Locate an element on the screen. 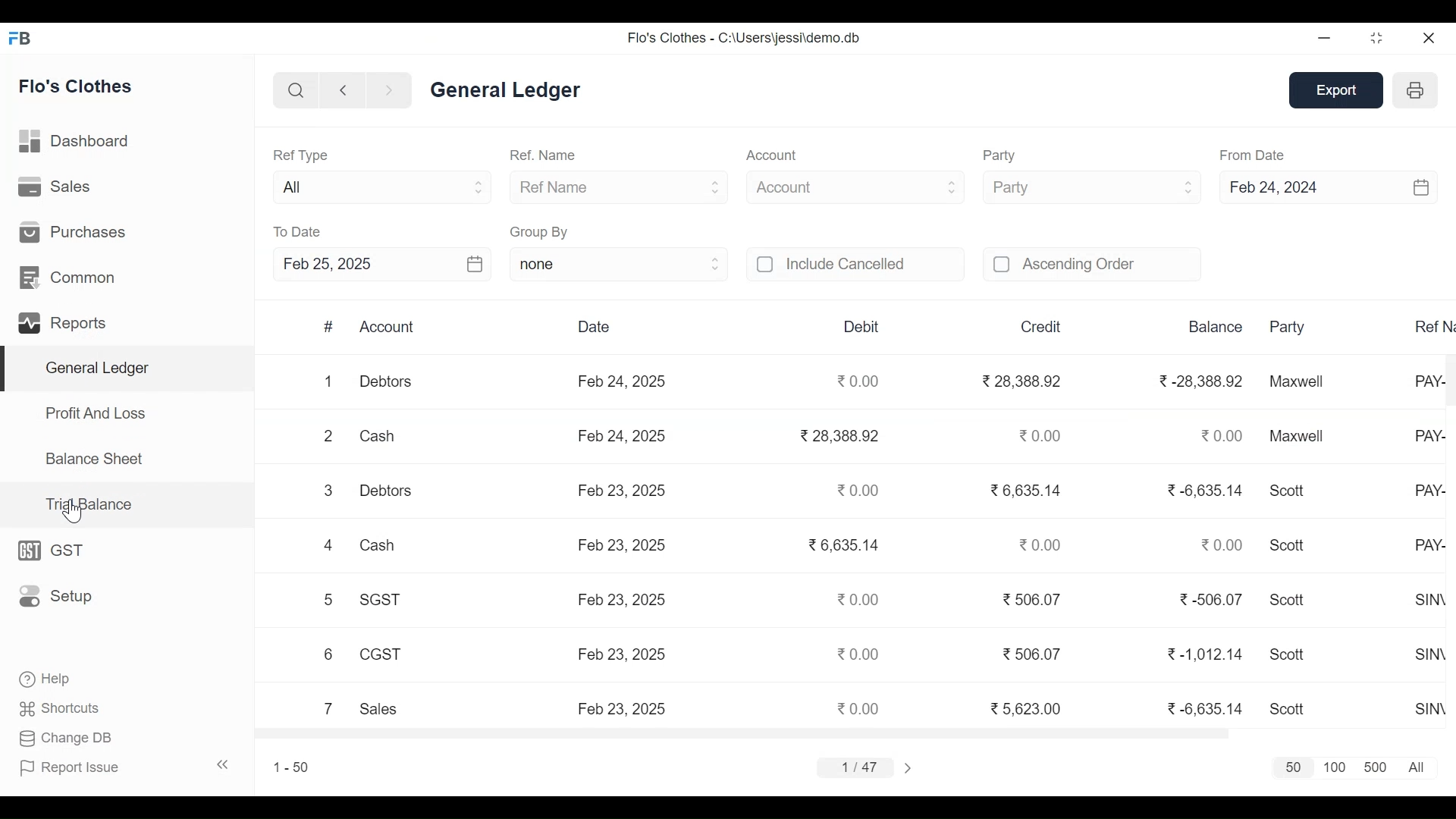  -6,635.14 is located at coordinates (1208, 708).